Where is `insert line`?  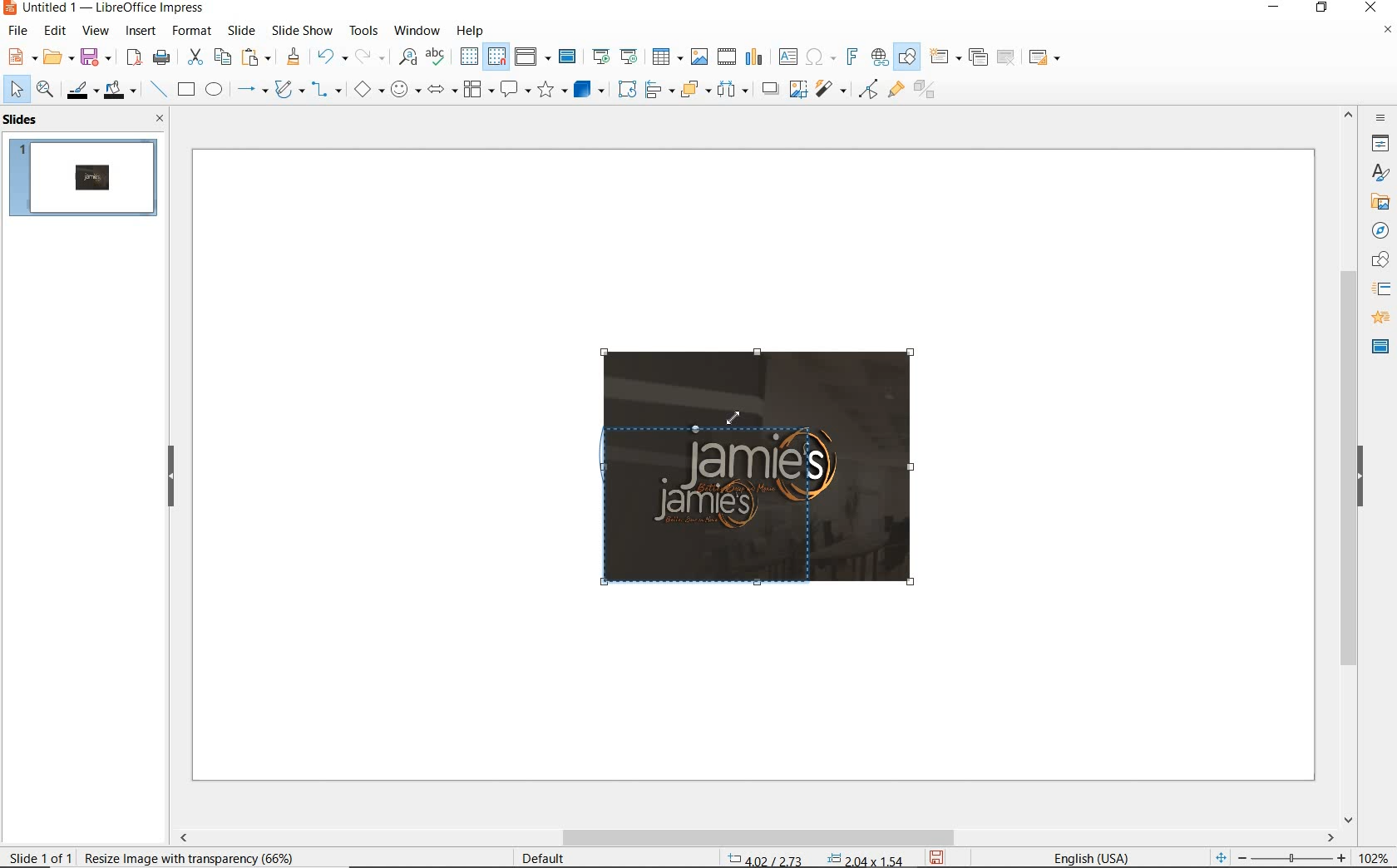
insert line is located at coordinates (157, 90).